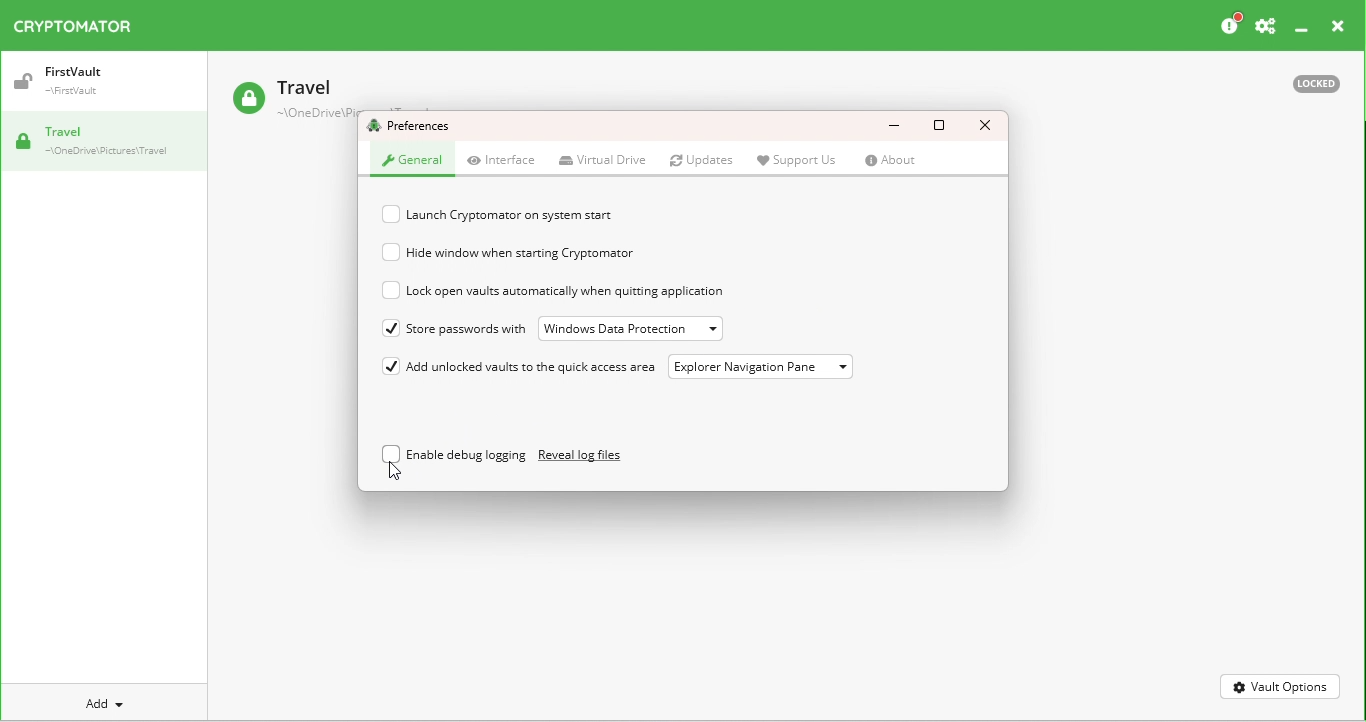  What do you see at coordinates (393, 215) in the screenshot?
I see `Checkbox` at bounding box center [393, 215].